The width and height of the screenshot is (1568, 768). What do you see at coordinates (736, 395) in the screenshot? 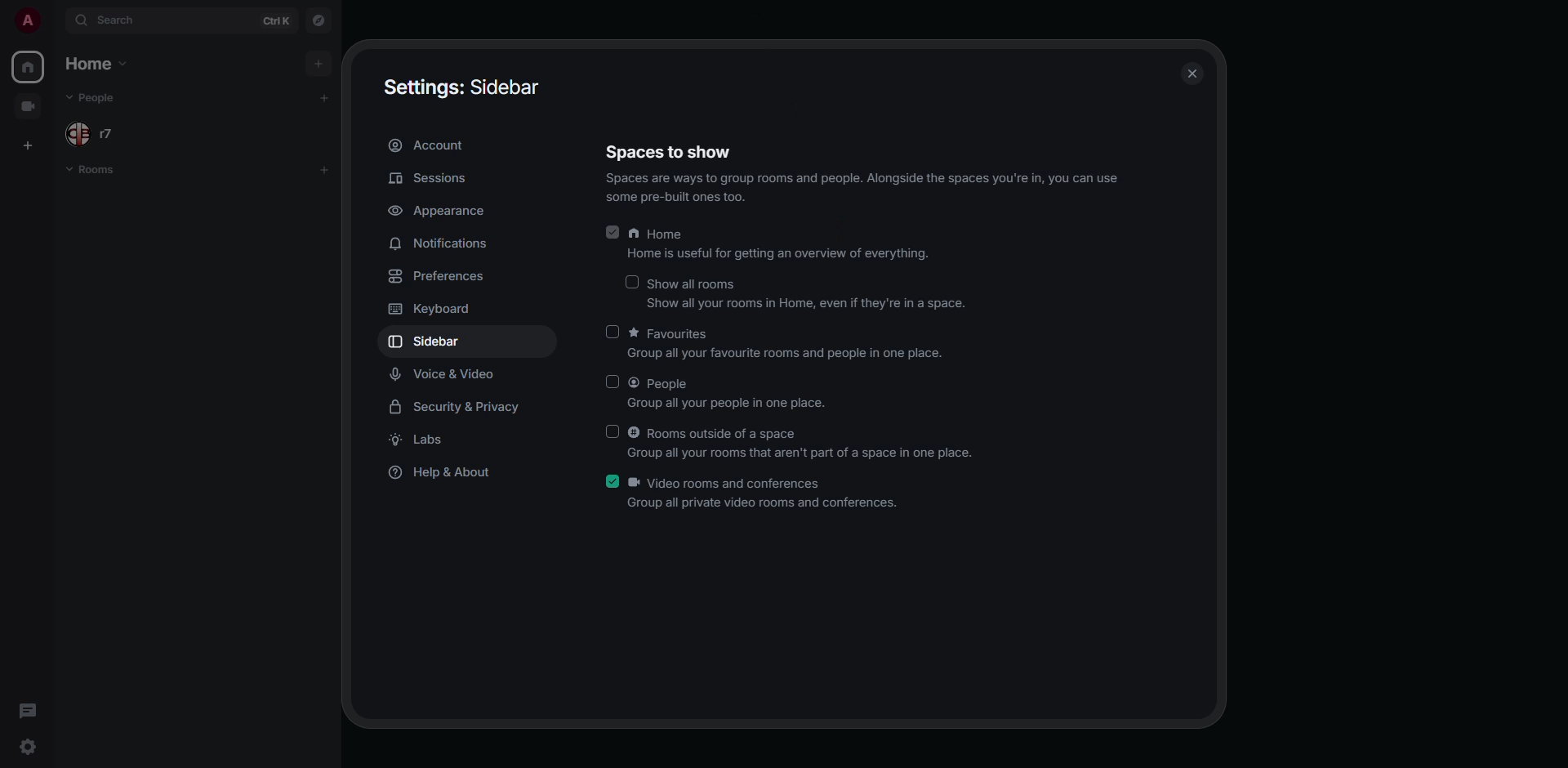
I see `@ People
Group all your people in one place.` at bounding box center [736, 395].